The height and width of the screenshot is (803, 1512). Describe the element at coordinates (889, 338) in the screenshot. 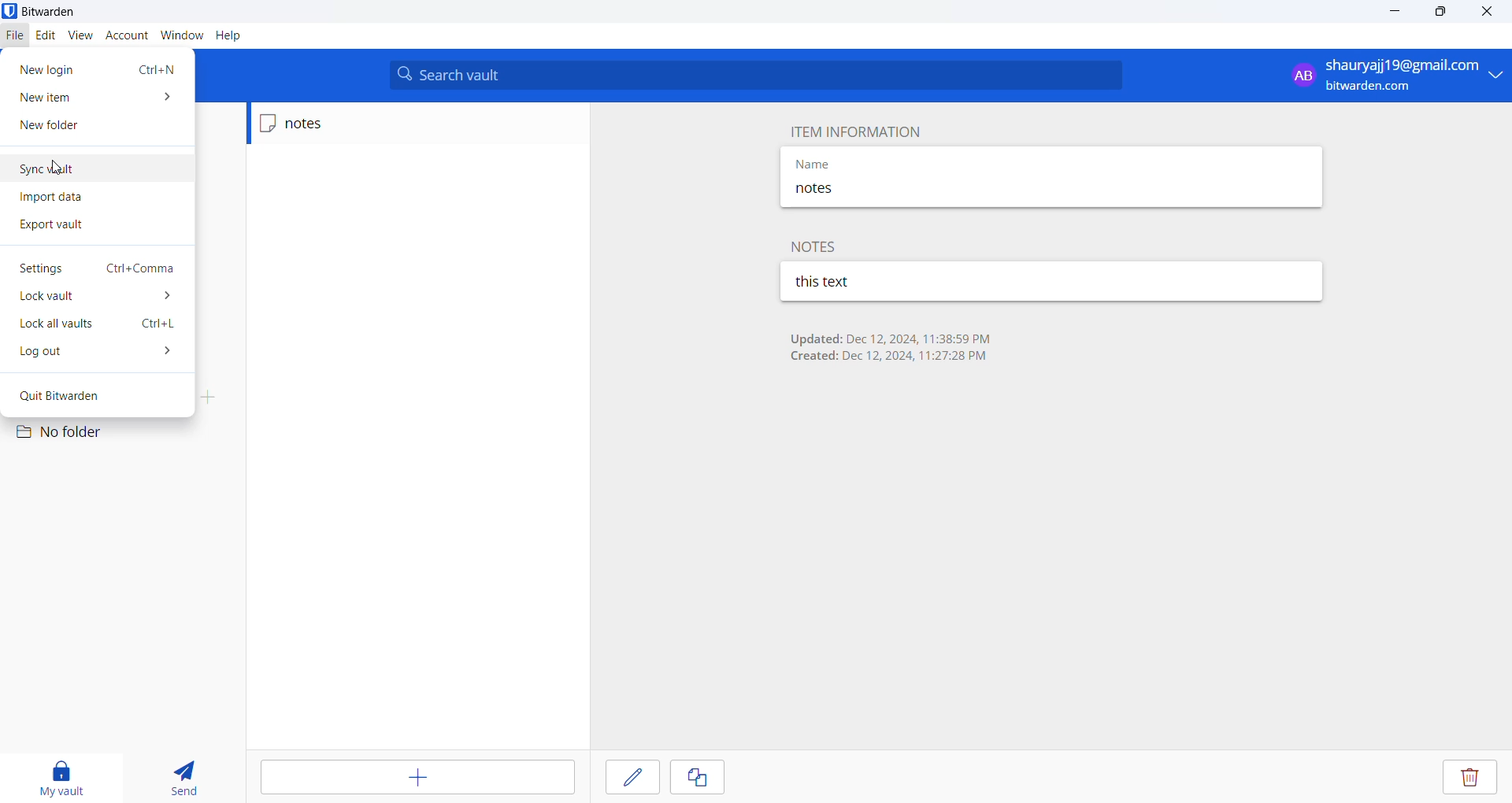

I see `updated: Dec 12, 2024 11:38:59 PM` at that location.